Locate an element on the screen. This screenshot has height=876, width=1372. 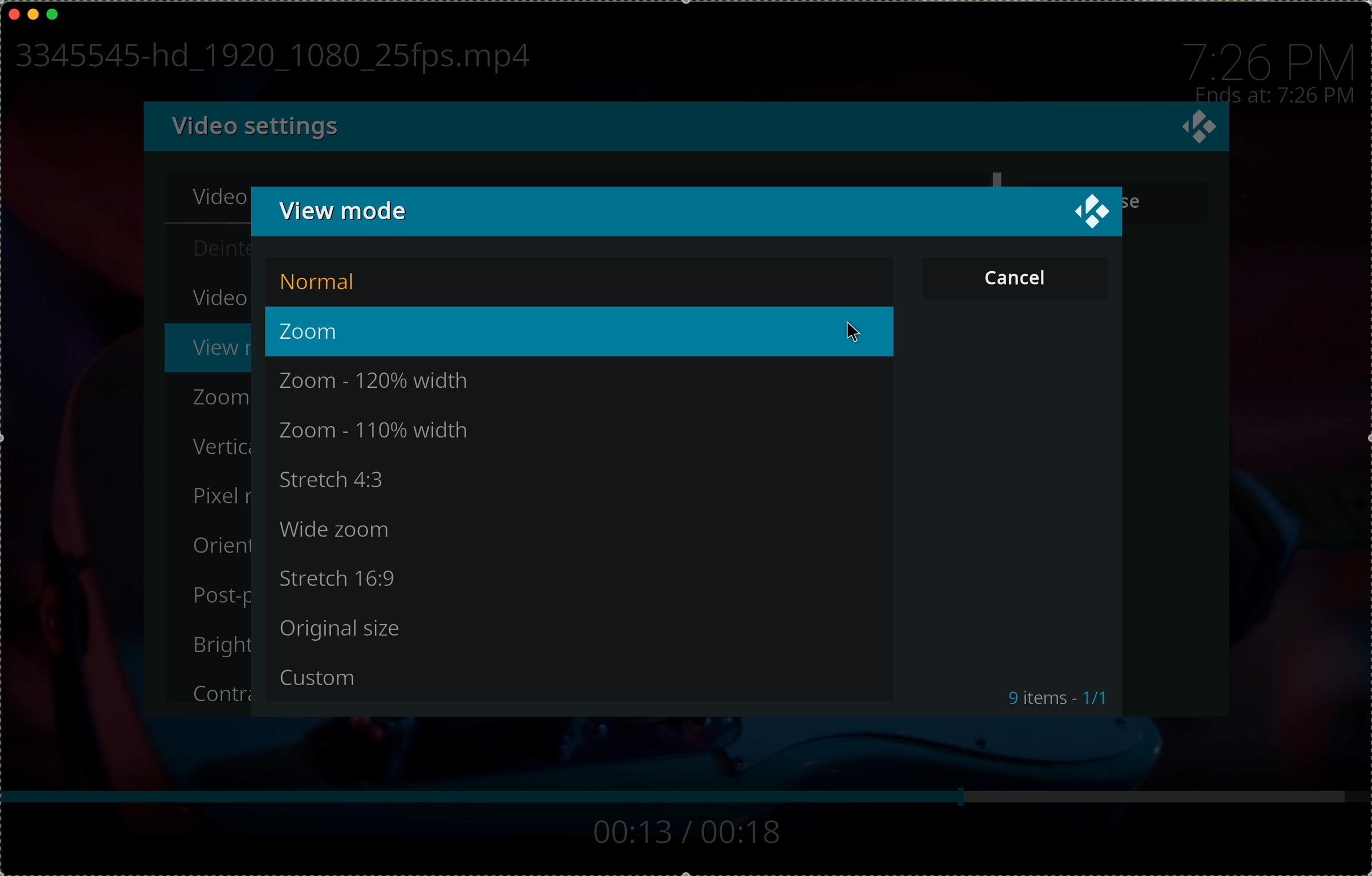
original size is located at coordinates (338, 631).